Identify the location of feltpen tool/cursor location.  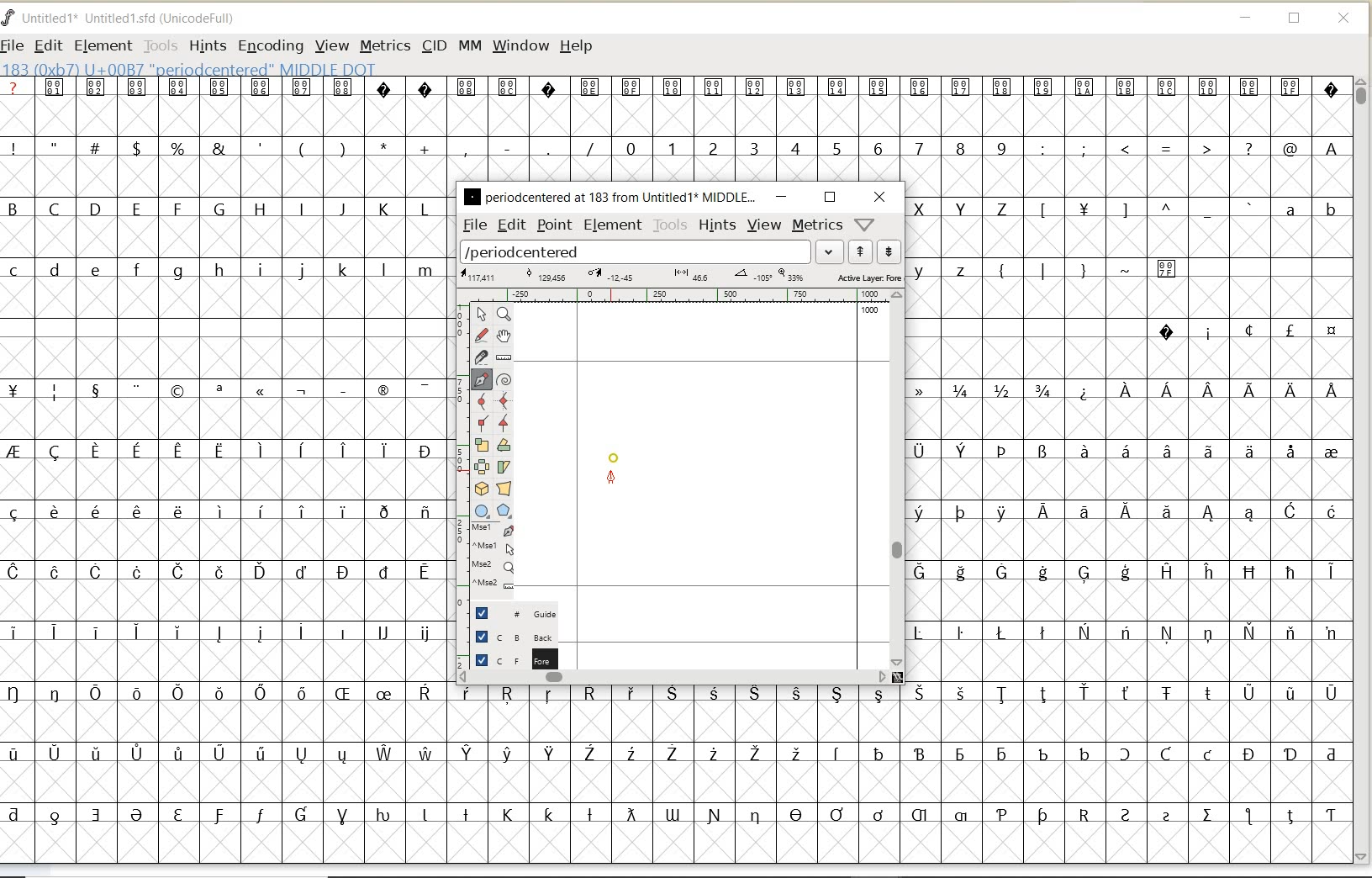
(613, 479).